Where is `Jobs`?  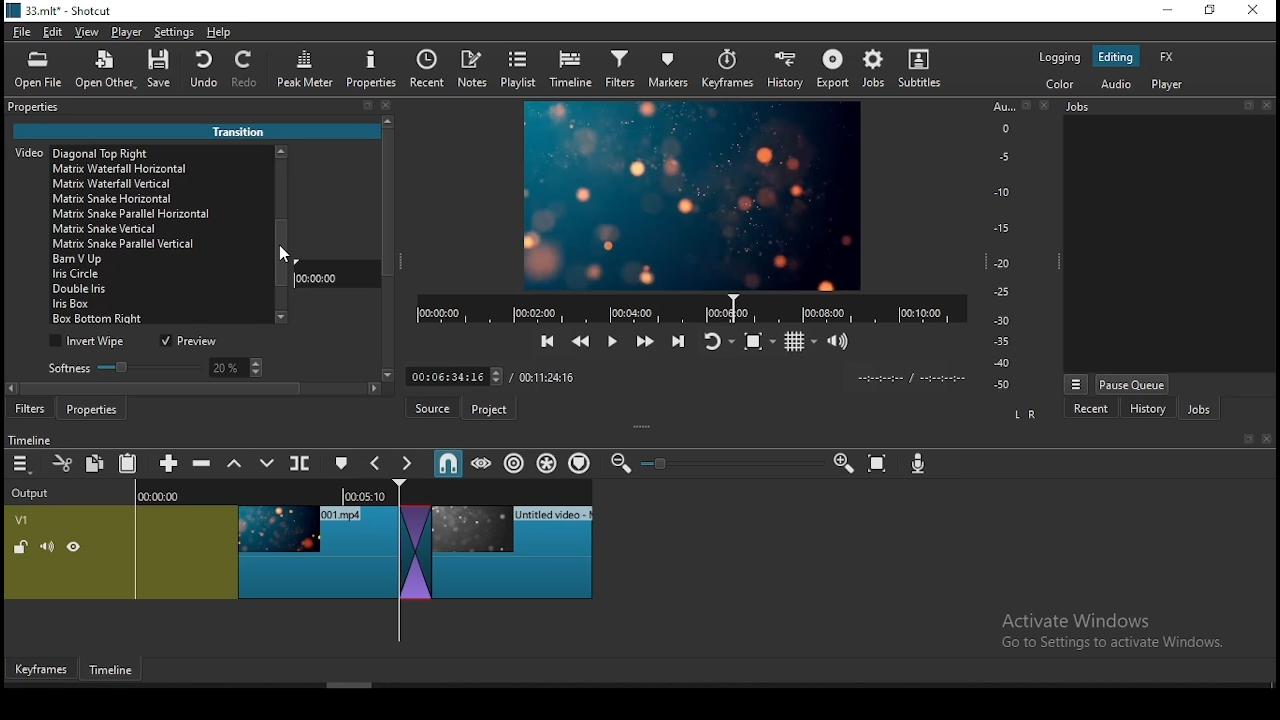 Jobs is located at coordinates (1086, 110).